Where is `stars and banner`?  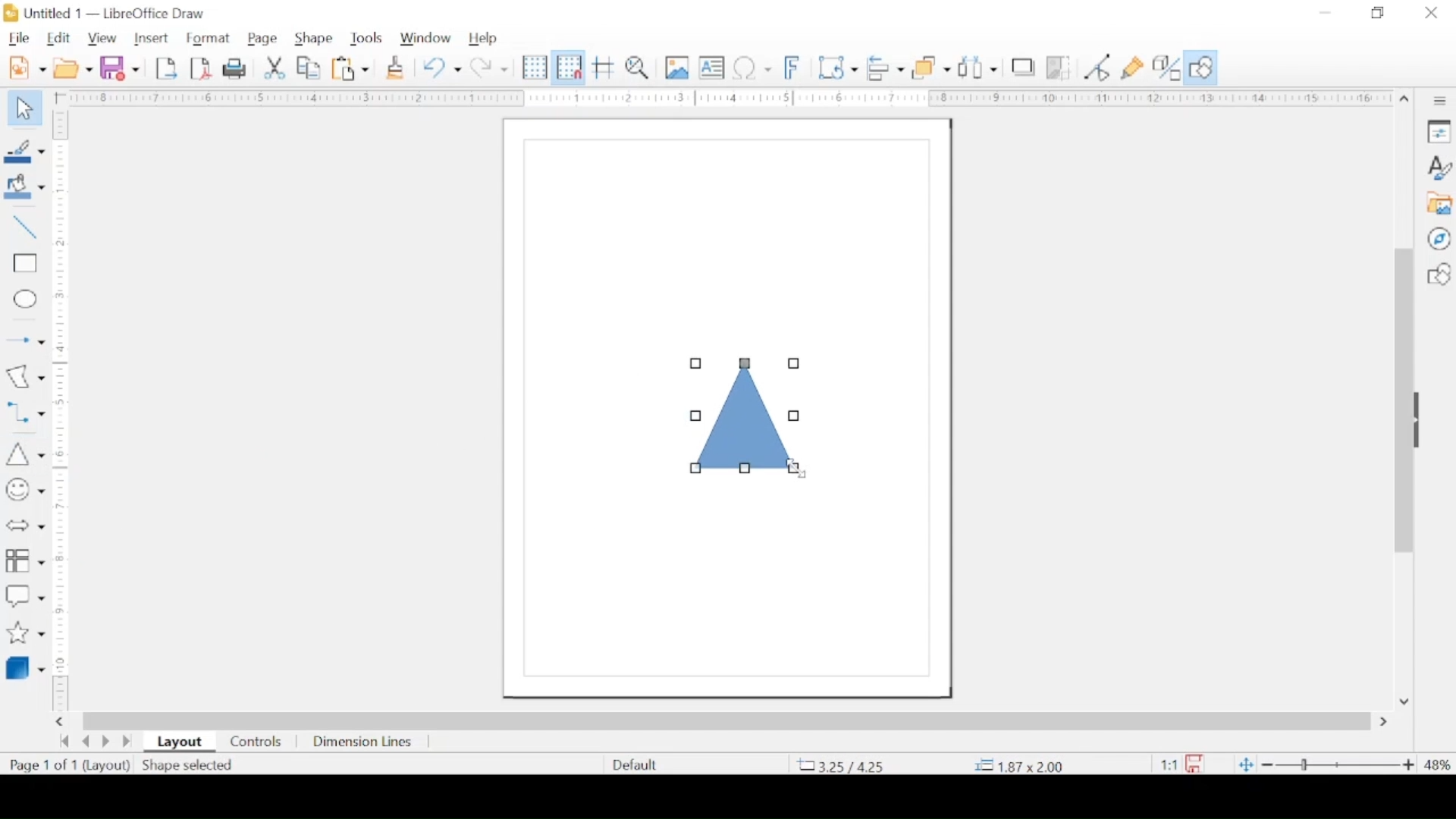 stars and banner is located at coordinates (24, 632).